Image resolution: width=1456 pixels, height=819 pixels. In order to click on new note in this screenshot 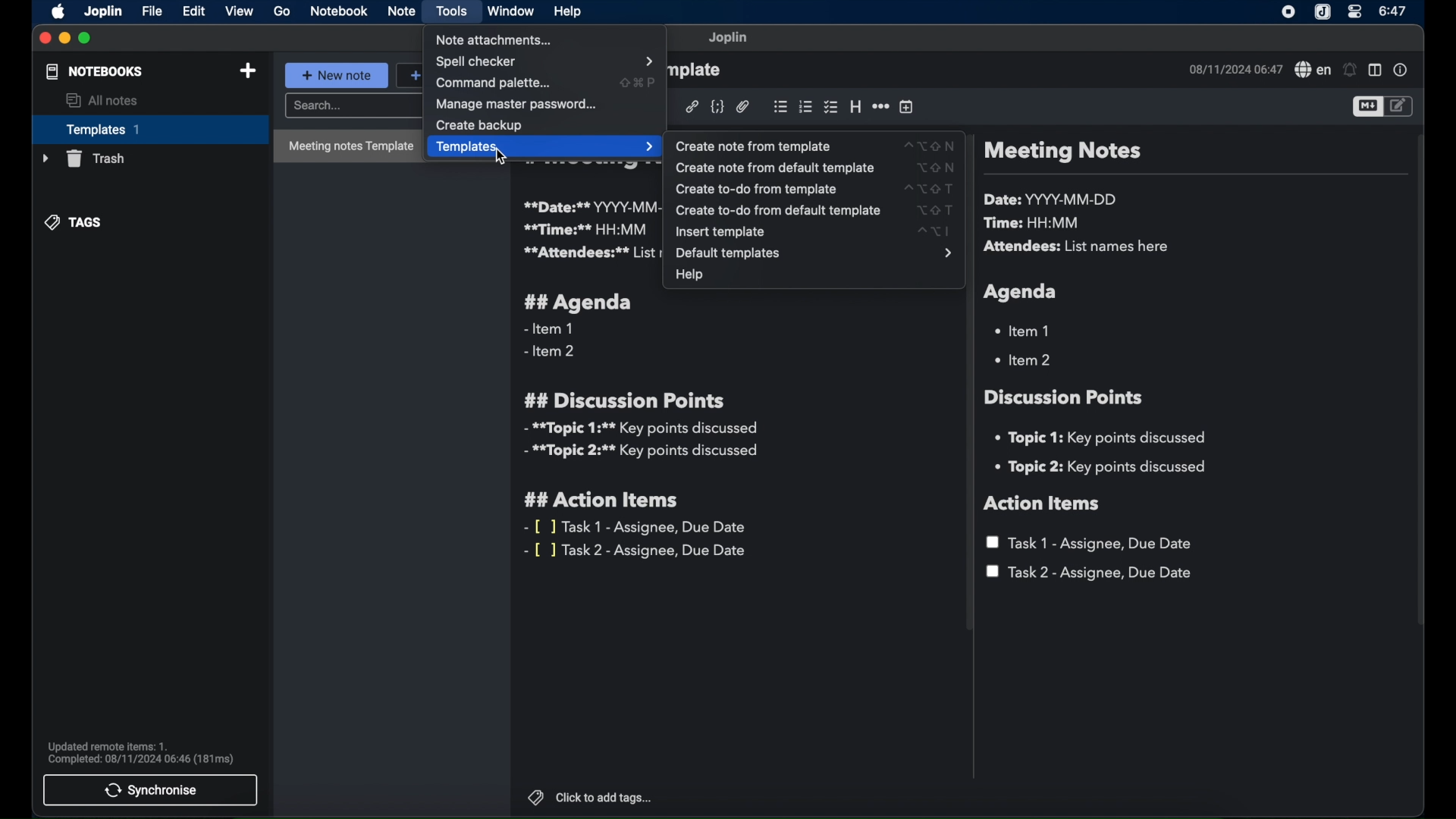, I will do `click(337, 75)`.